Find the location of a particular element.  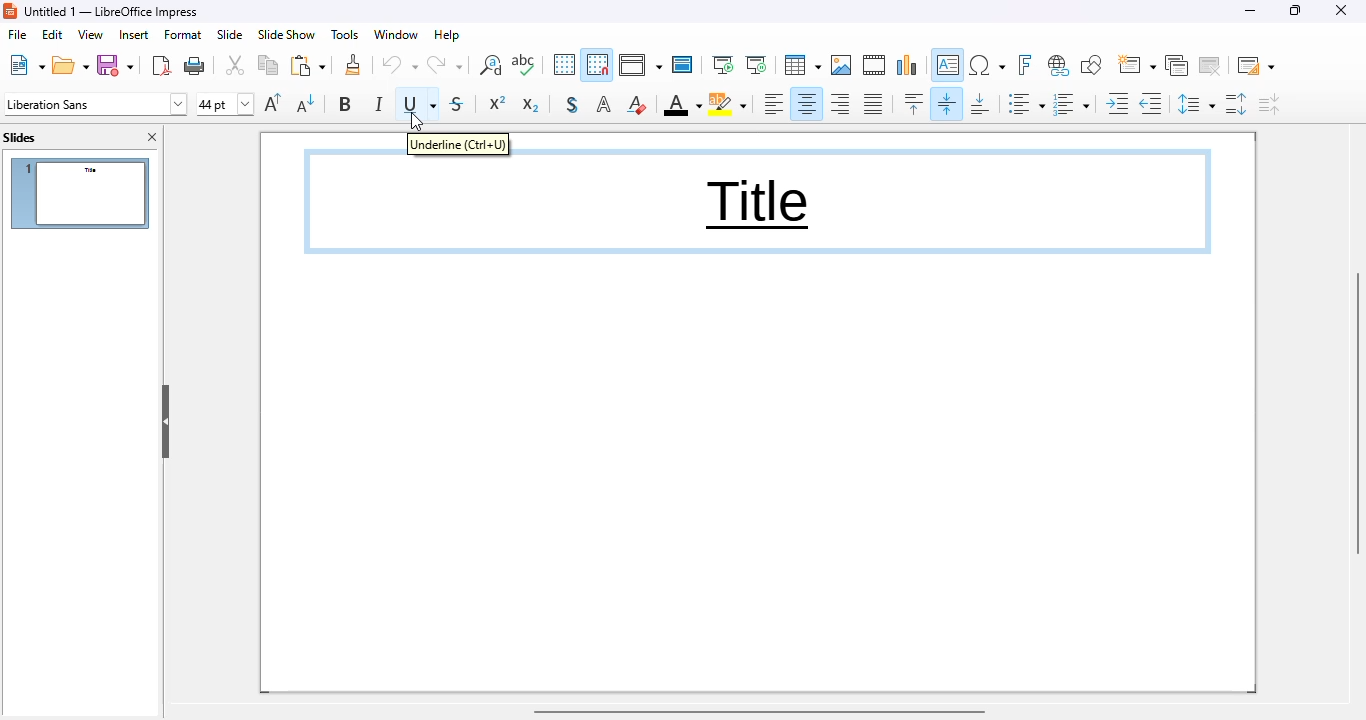

start from first slide is located at coordinates (723, 65).